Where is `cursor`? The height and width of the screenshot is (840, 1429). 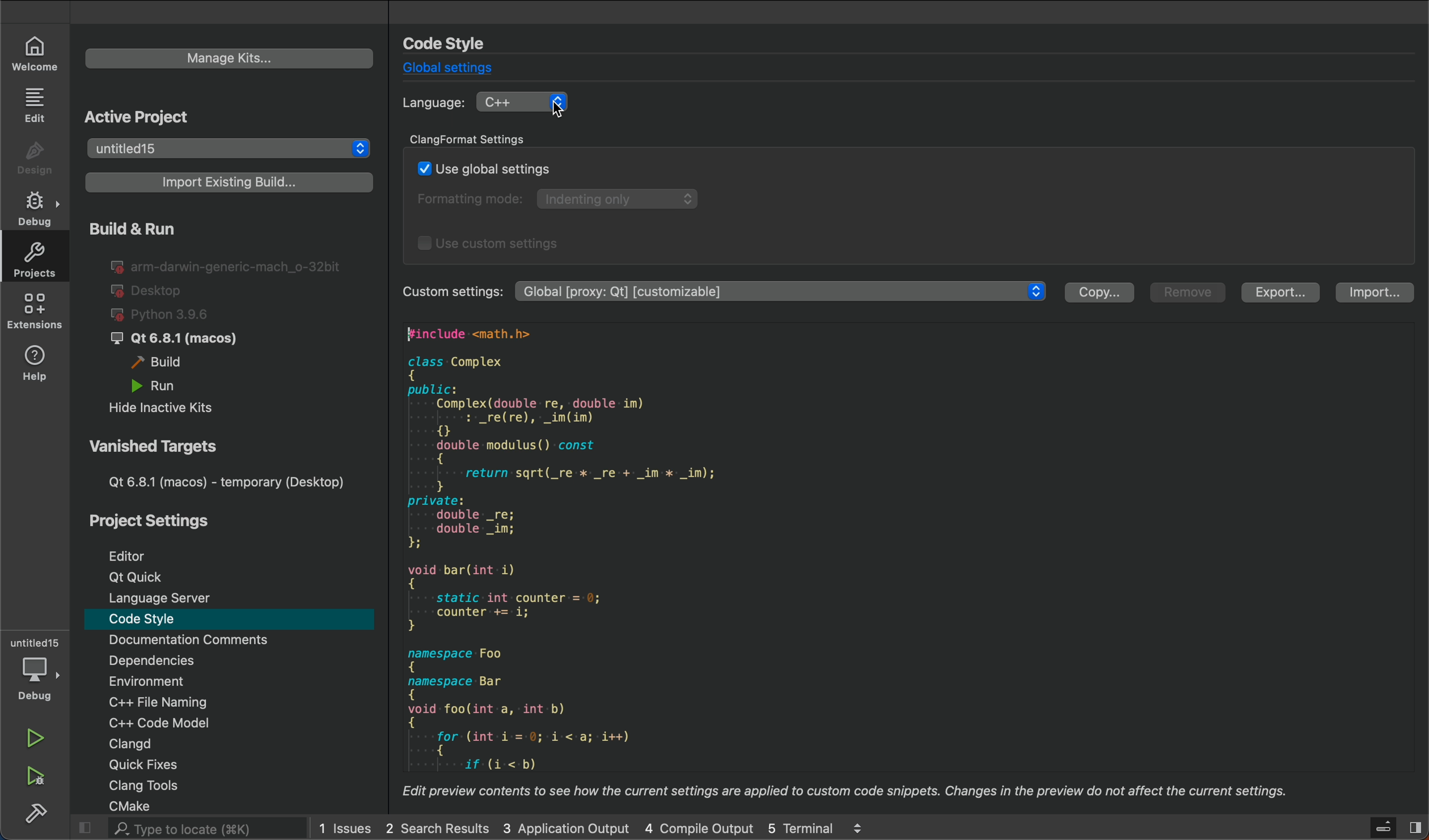 cursor is located at coordinates (560, 112).